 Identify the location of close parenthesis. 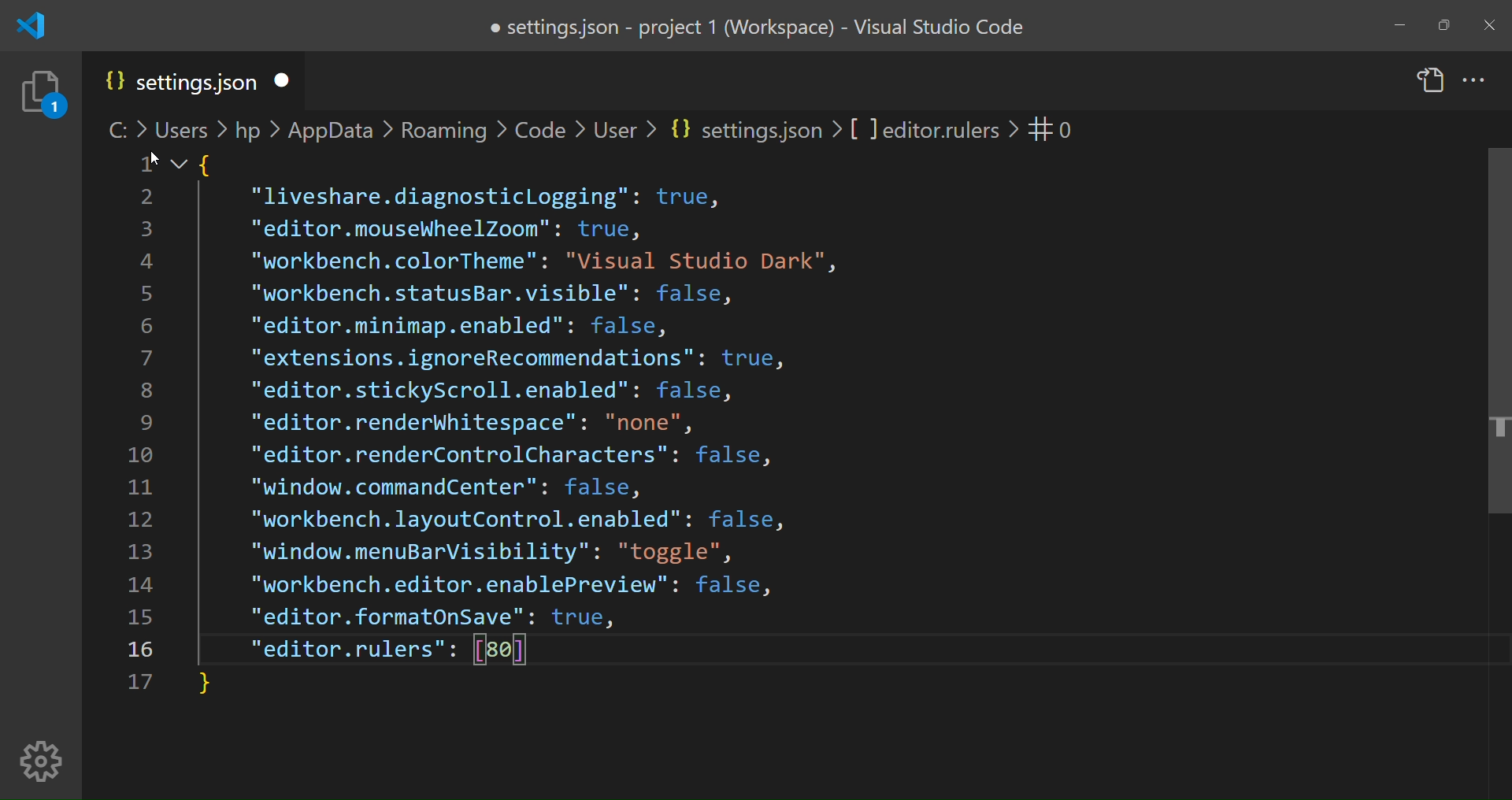
(207, 685).